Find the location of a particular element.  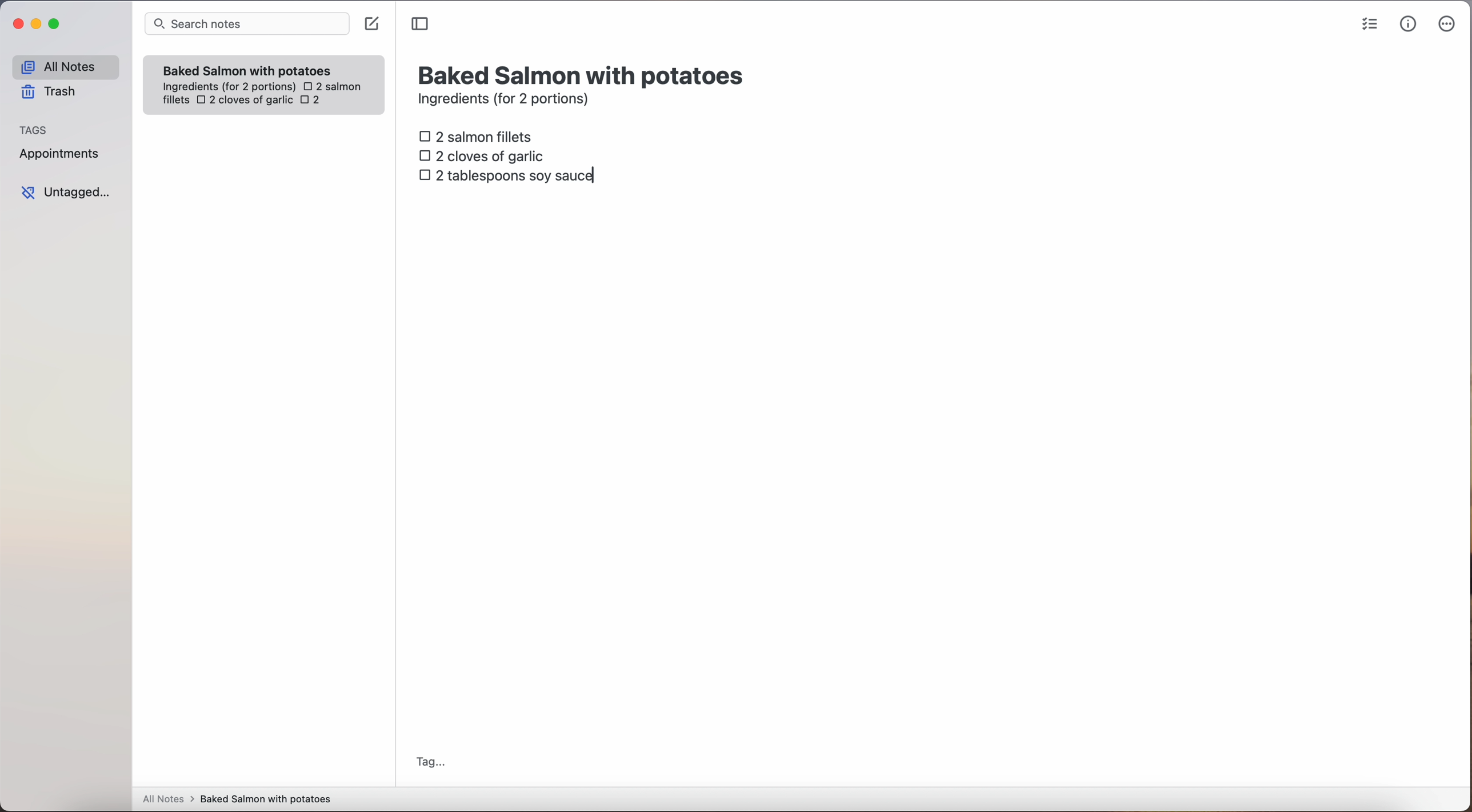

2 cloves of garlic is located at coordinates (245, 101).